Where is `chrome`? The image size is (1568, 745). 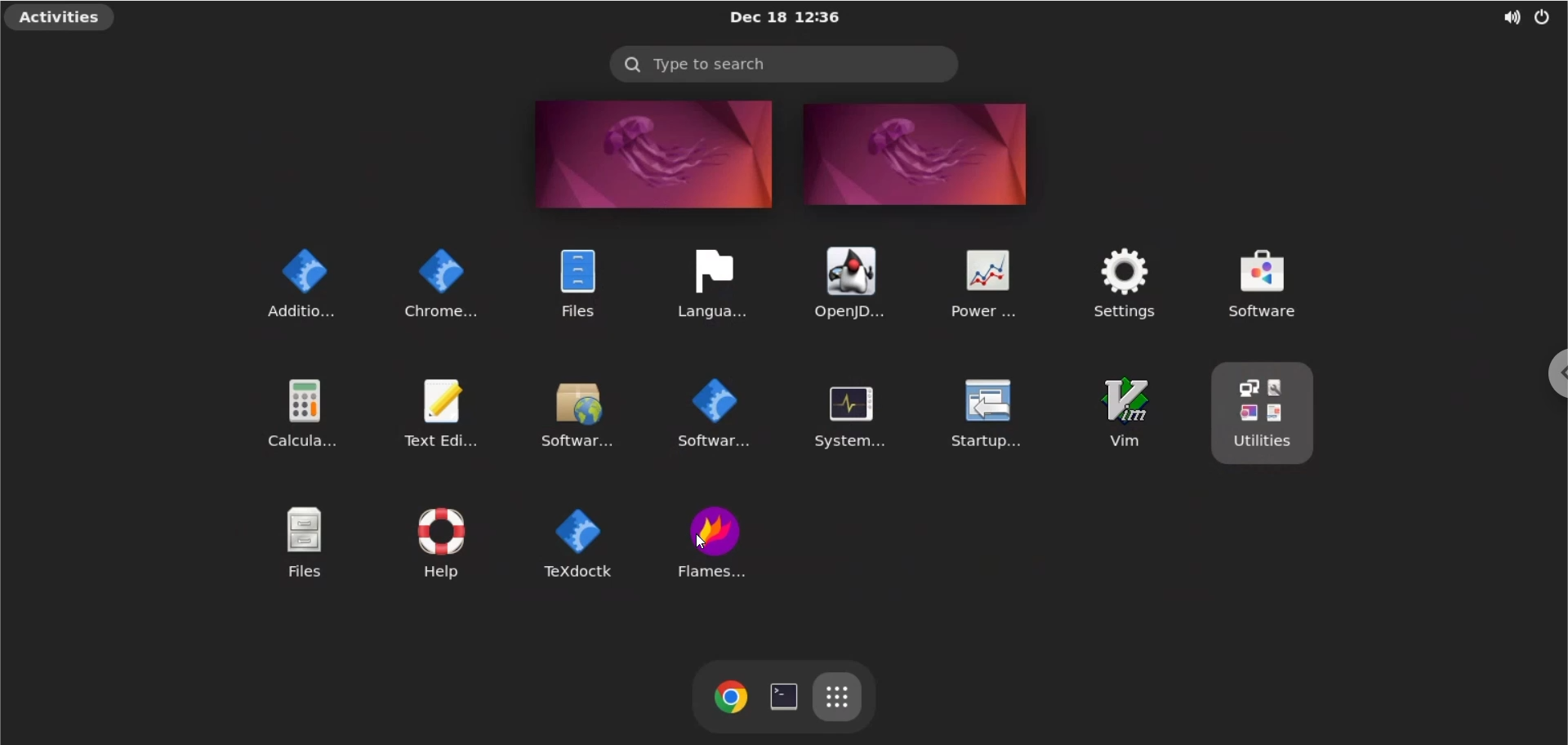
chrome is located at coordinates (728, 698).